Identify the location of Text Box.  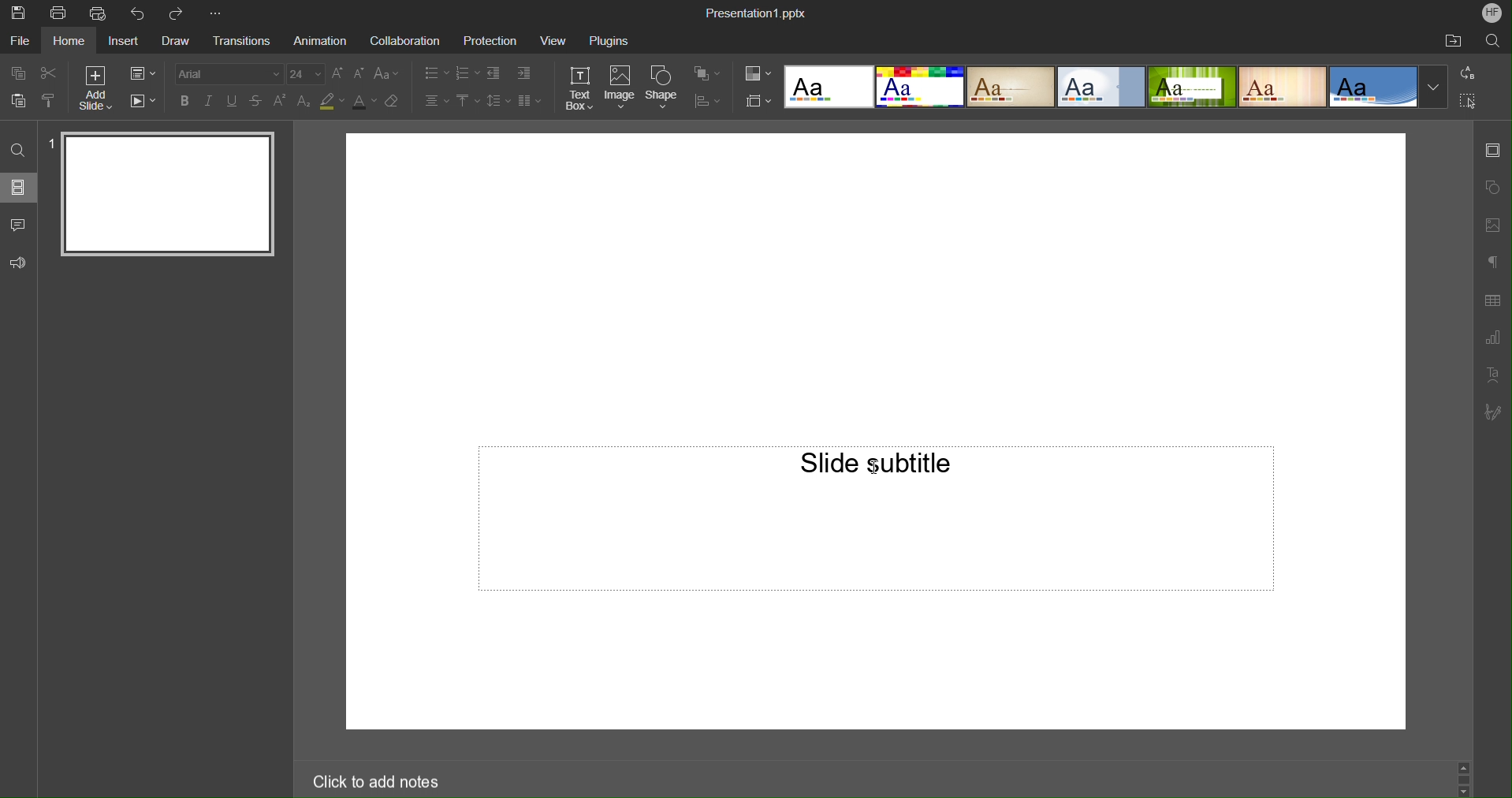
(579, 88).